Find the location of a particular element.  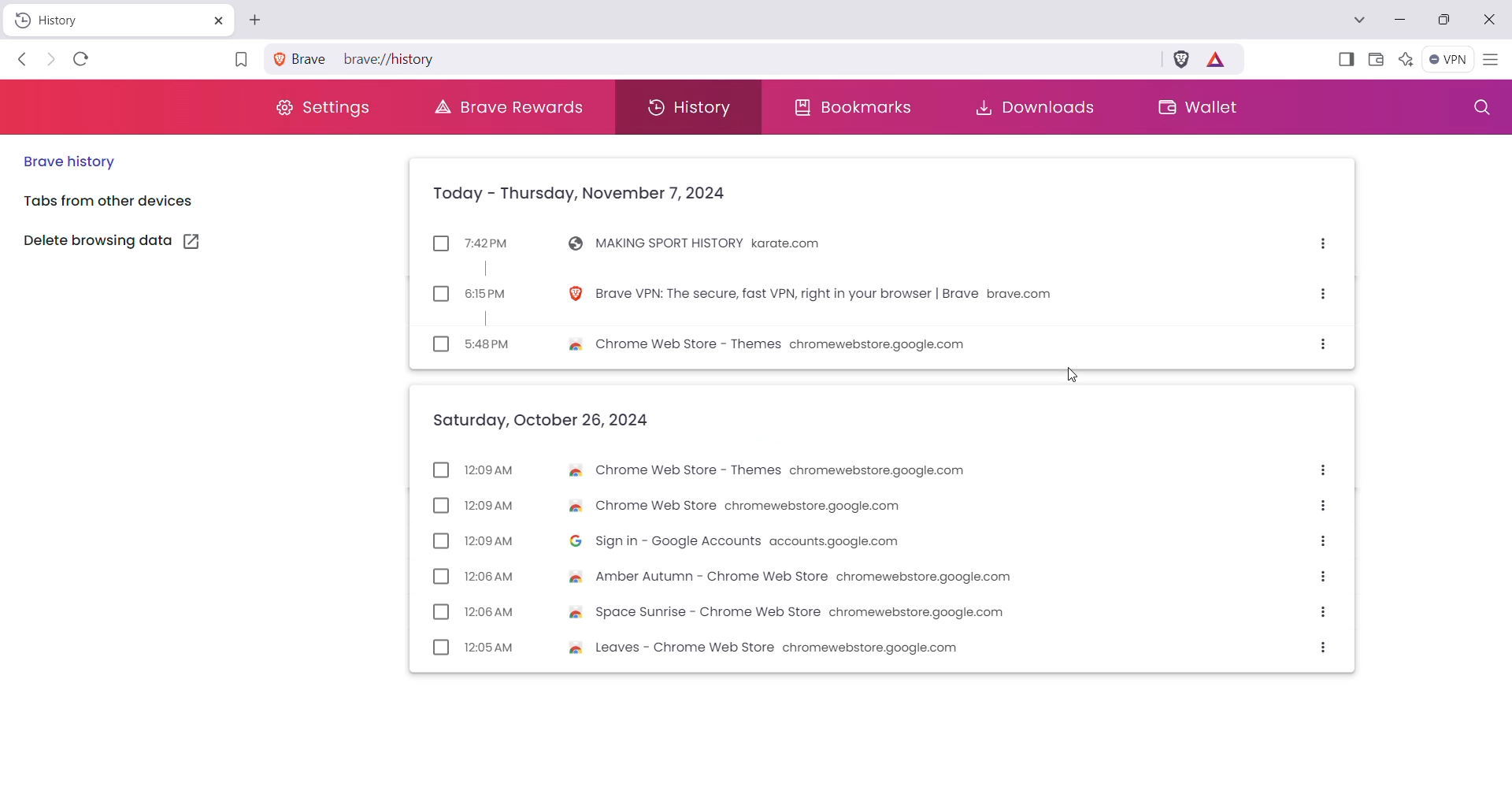

cursor is located at coordinates (1075, 373).